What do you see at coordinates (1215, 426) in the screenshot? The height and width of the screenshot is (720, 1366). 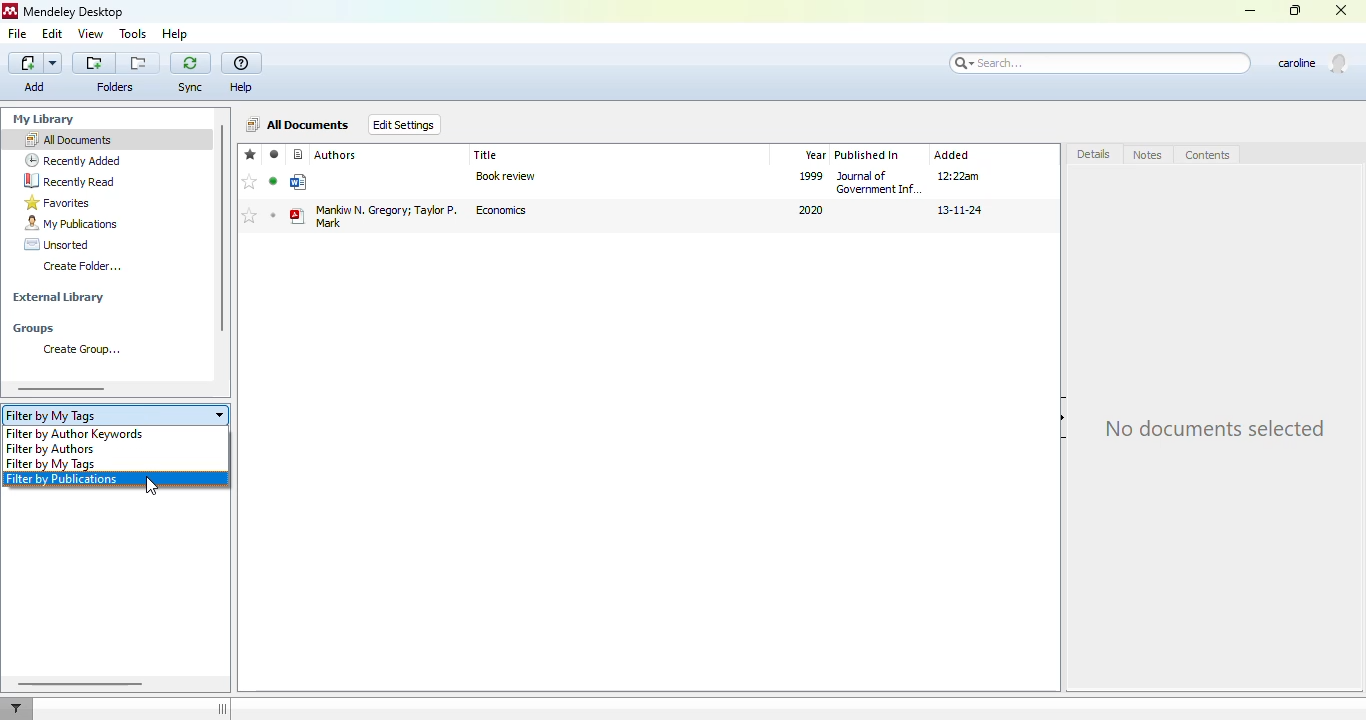 I see `no documents selected` at bounding box center [1215, 426].